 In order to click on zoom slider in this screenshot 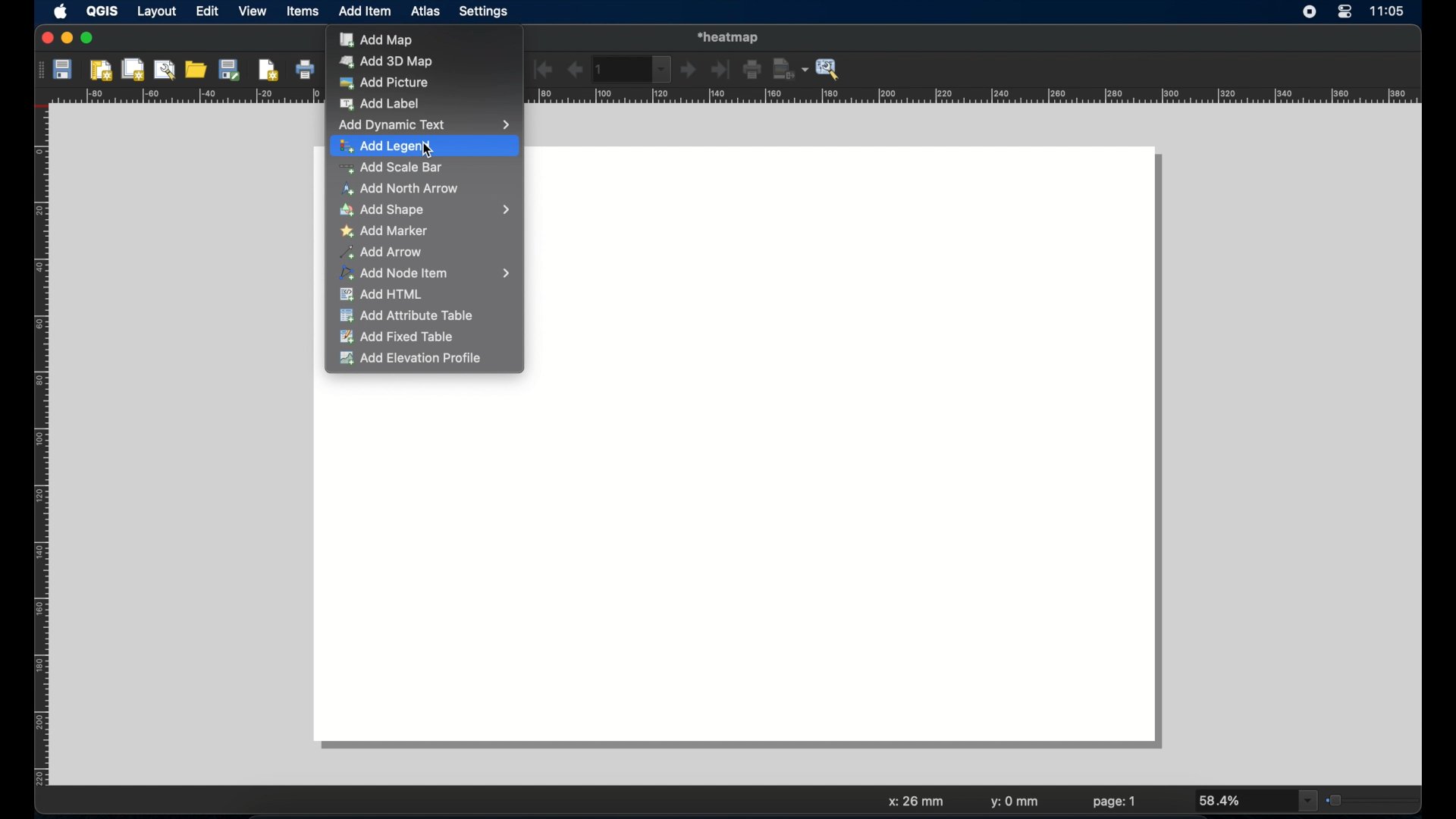, I will do `click(1372, 799)`.